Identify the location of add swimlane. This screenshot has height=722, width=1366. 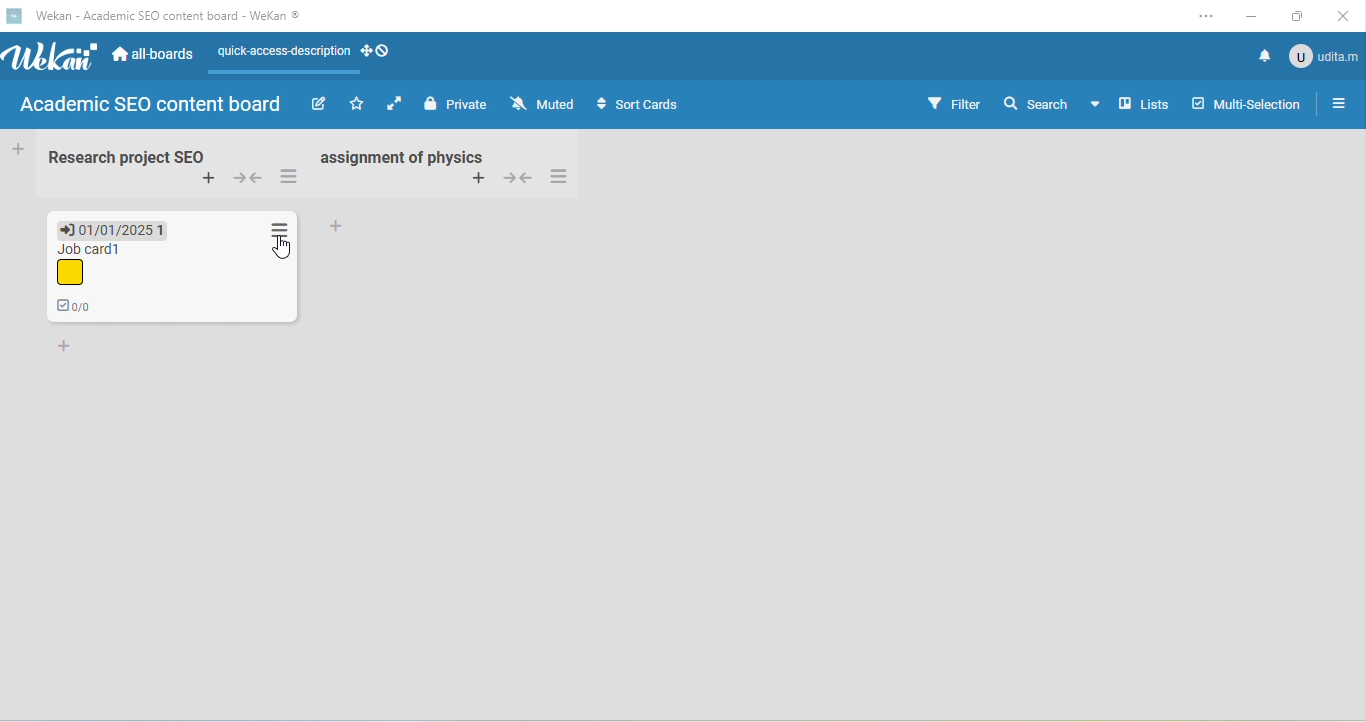
(211, 181).